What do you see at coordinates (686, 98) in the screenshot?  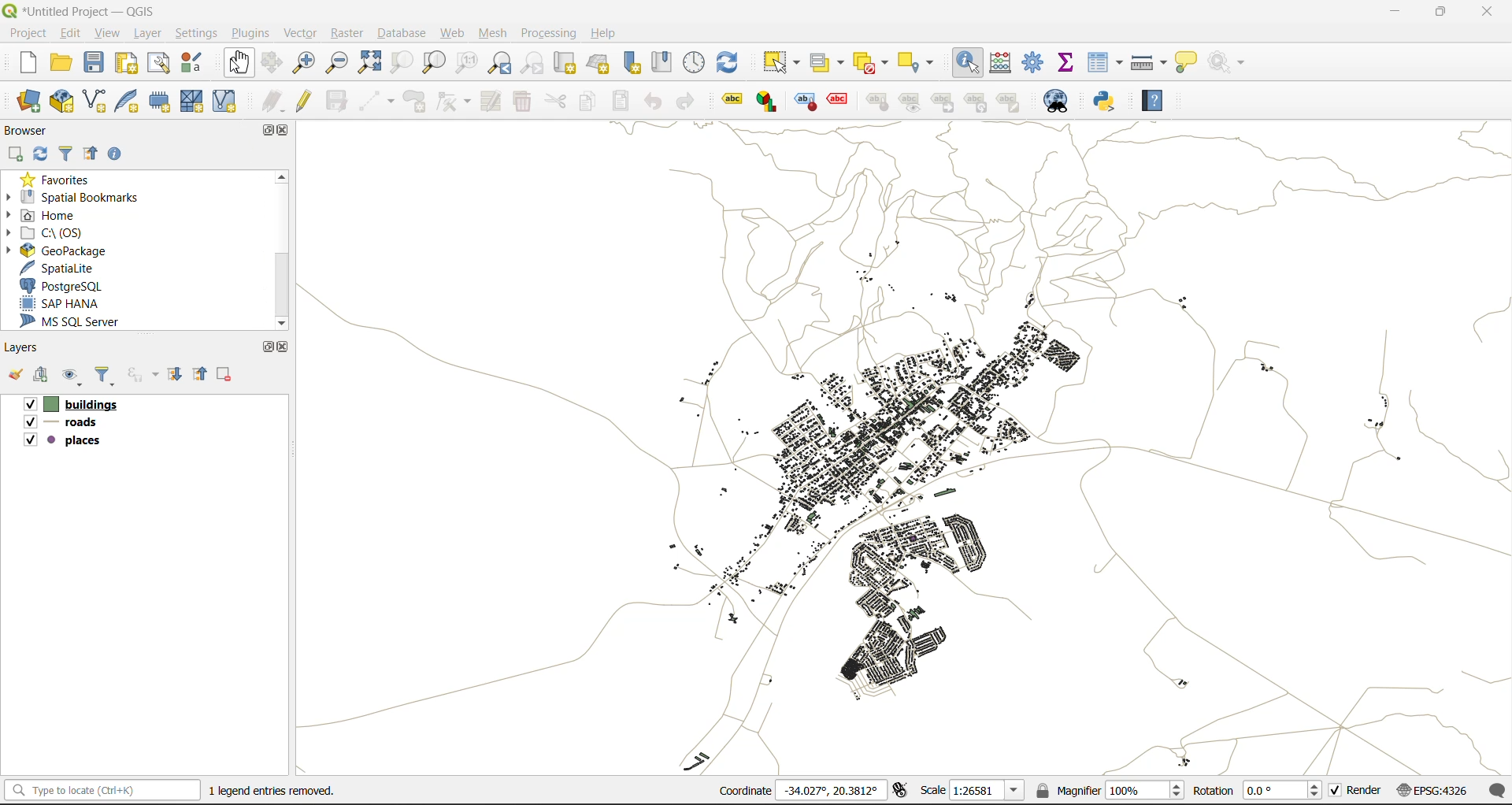 I see `redo` at bounding box center [686, 98].